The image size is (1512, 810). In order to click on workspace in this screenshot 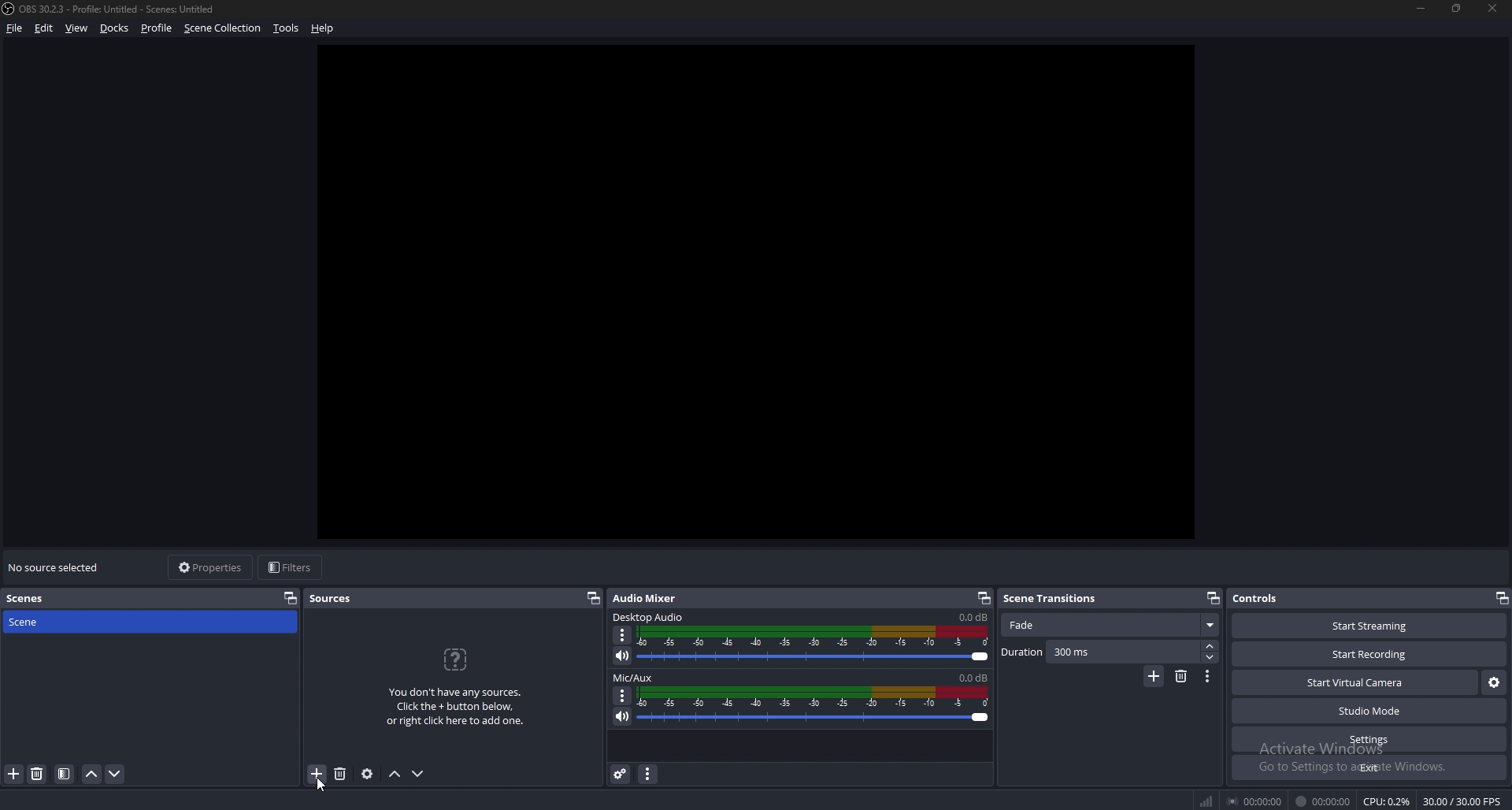, I will do `click(772, 292)`.